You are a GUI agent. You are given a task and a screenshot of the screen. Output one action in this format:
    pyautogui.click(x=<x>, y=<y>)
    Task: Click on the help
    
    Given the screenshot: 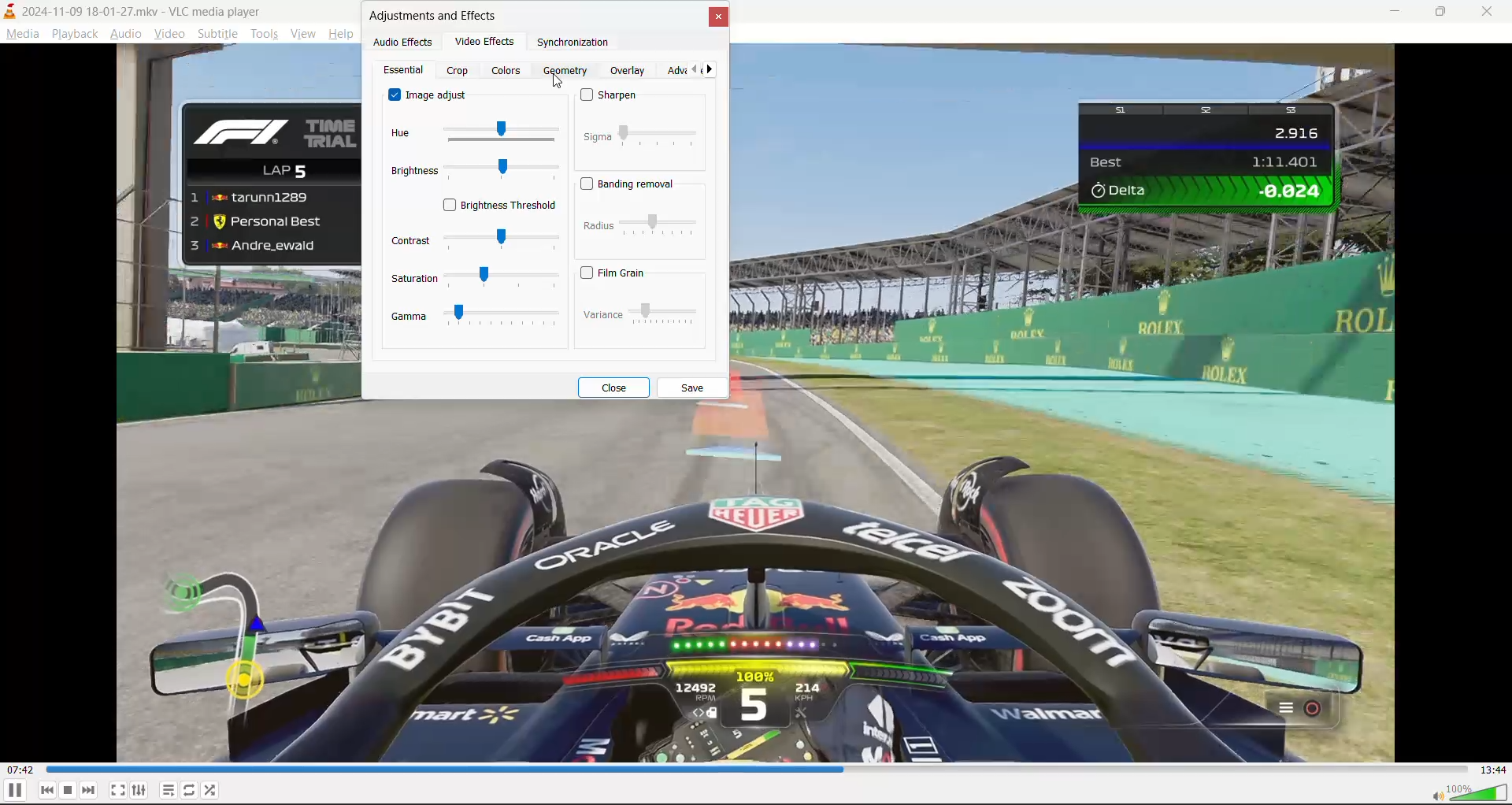 What is the action you would take?
    pyautogui.click(x=343, y=33)
    